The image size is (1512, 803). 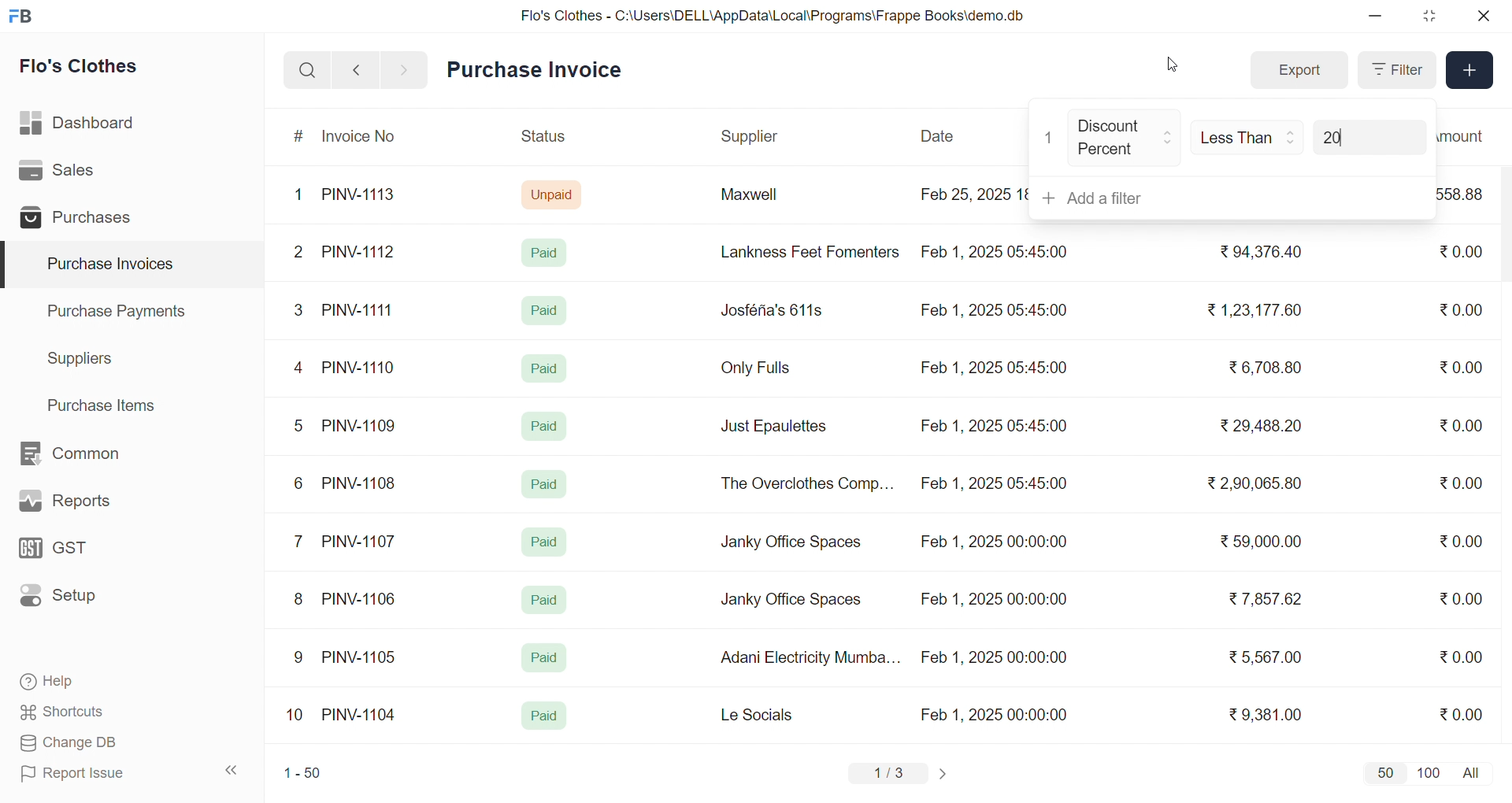 I want to click on Dashboard, so click(x=82, y=126).